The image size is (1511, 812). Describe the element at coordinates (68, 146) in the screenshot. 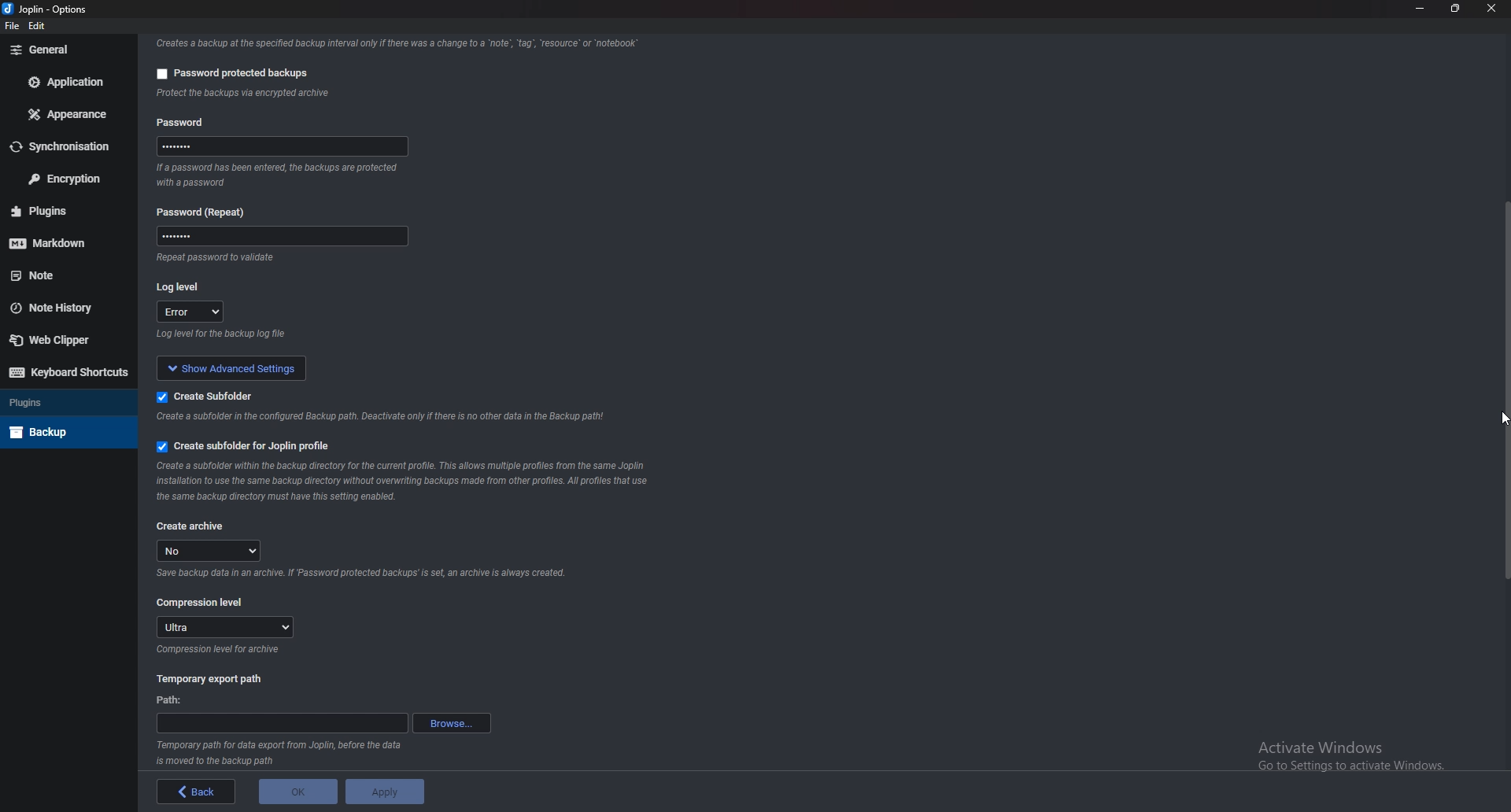

I see `Synchronization` at that location.